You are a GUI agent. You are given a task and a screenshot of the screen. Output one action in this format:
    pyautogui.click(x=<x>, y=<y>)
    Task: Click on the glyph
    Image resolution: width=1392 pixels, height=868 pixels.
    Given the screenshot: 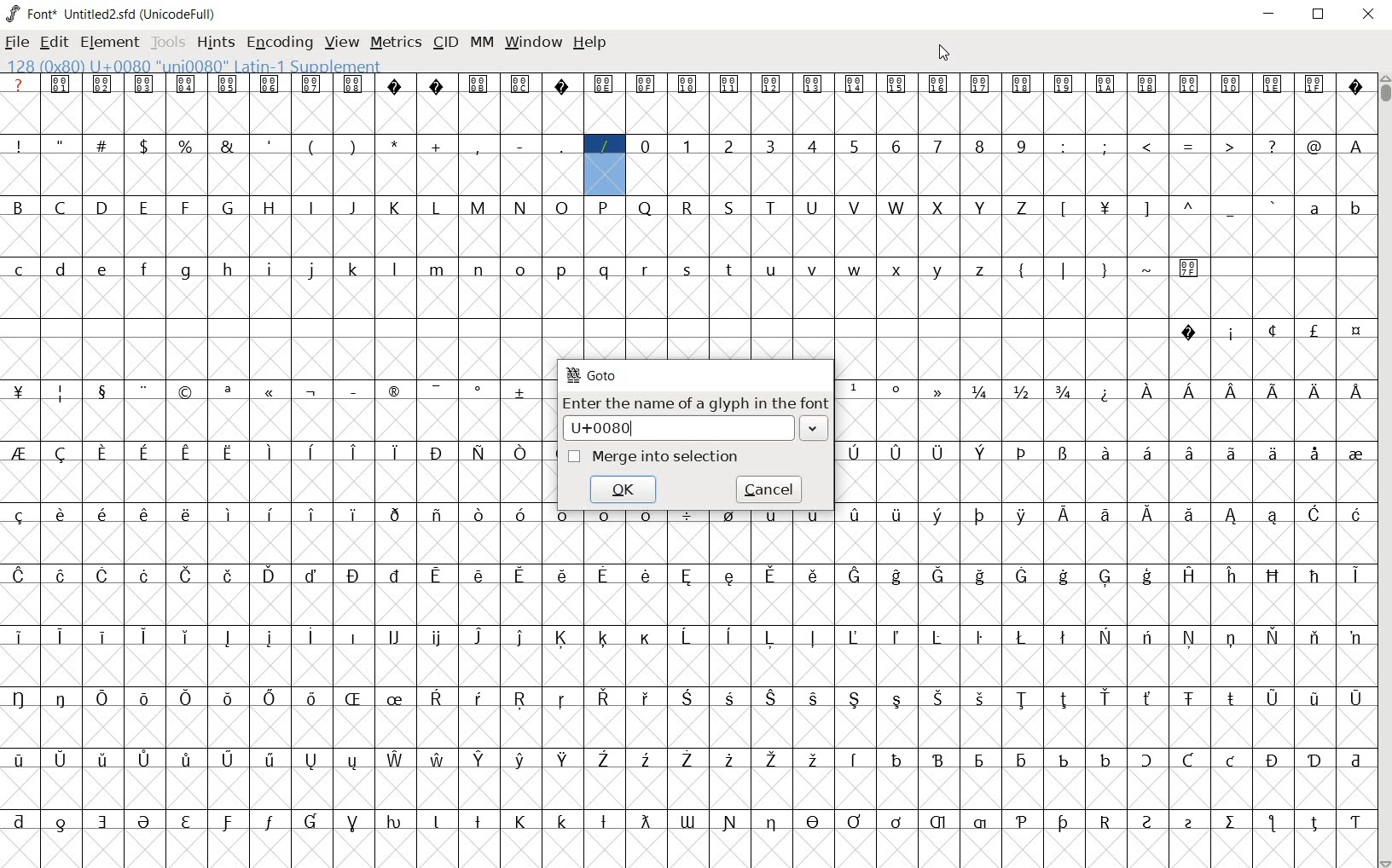 What is the action you would take?
    pyautogui.click(x=1273, y=453)
    